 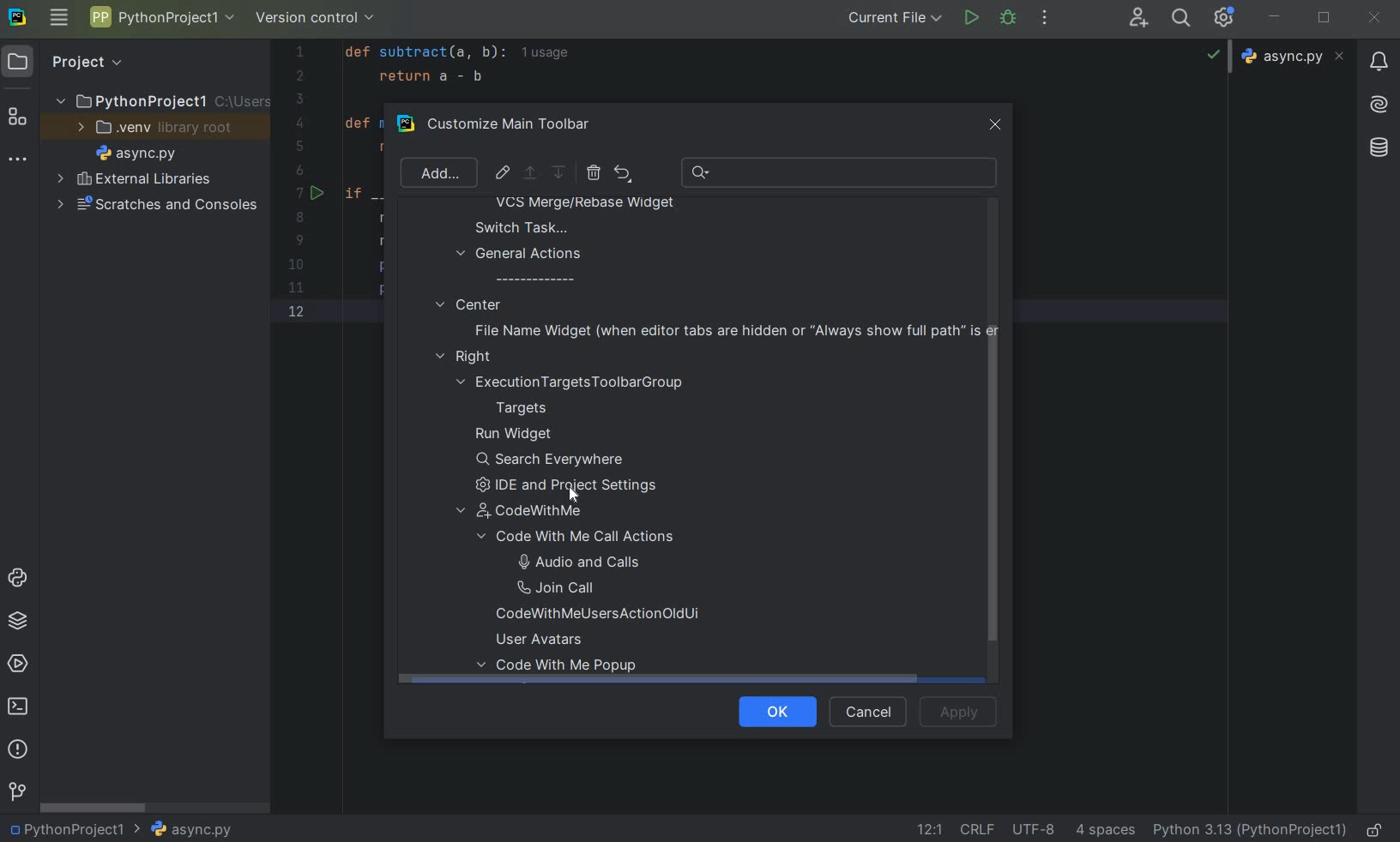 What do you see at coordinates (73, 62) in the screenshot?
I see `PROJECT` at bounding box center [73, 62].